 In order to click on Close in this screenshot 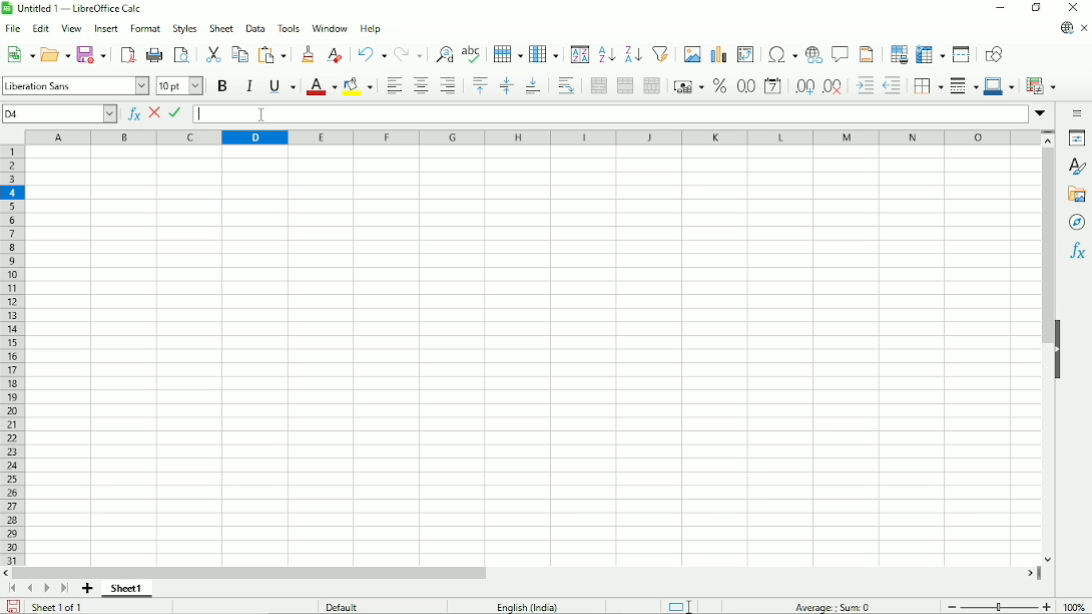, I will do `click(1074, 7)`.